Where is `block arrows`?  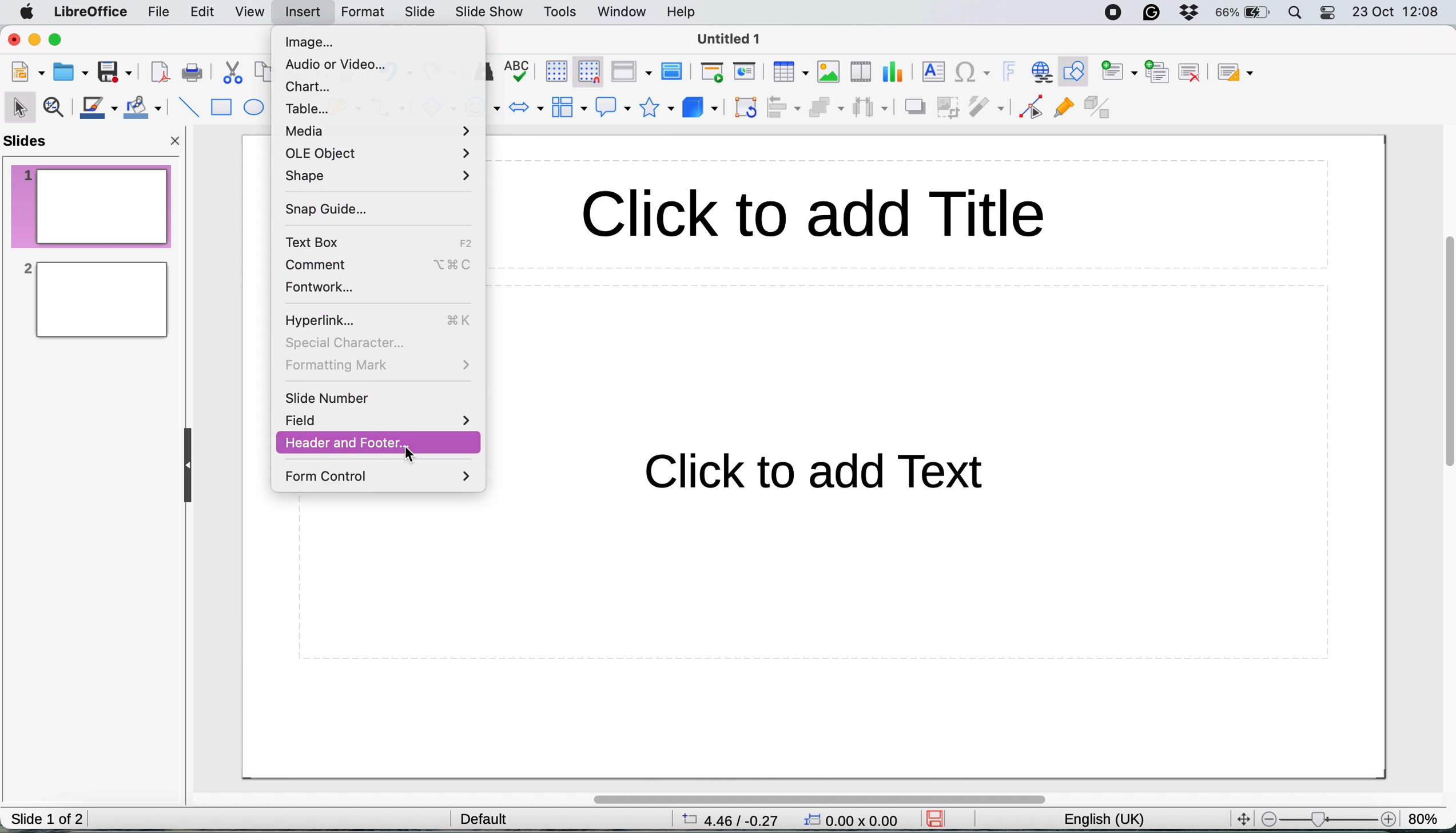
block arrows is located at coordinates (526, 109).